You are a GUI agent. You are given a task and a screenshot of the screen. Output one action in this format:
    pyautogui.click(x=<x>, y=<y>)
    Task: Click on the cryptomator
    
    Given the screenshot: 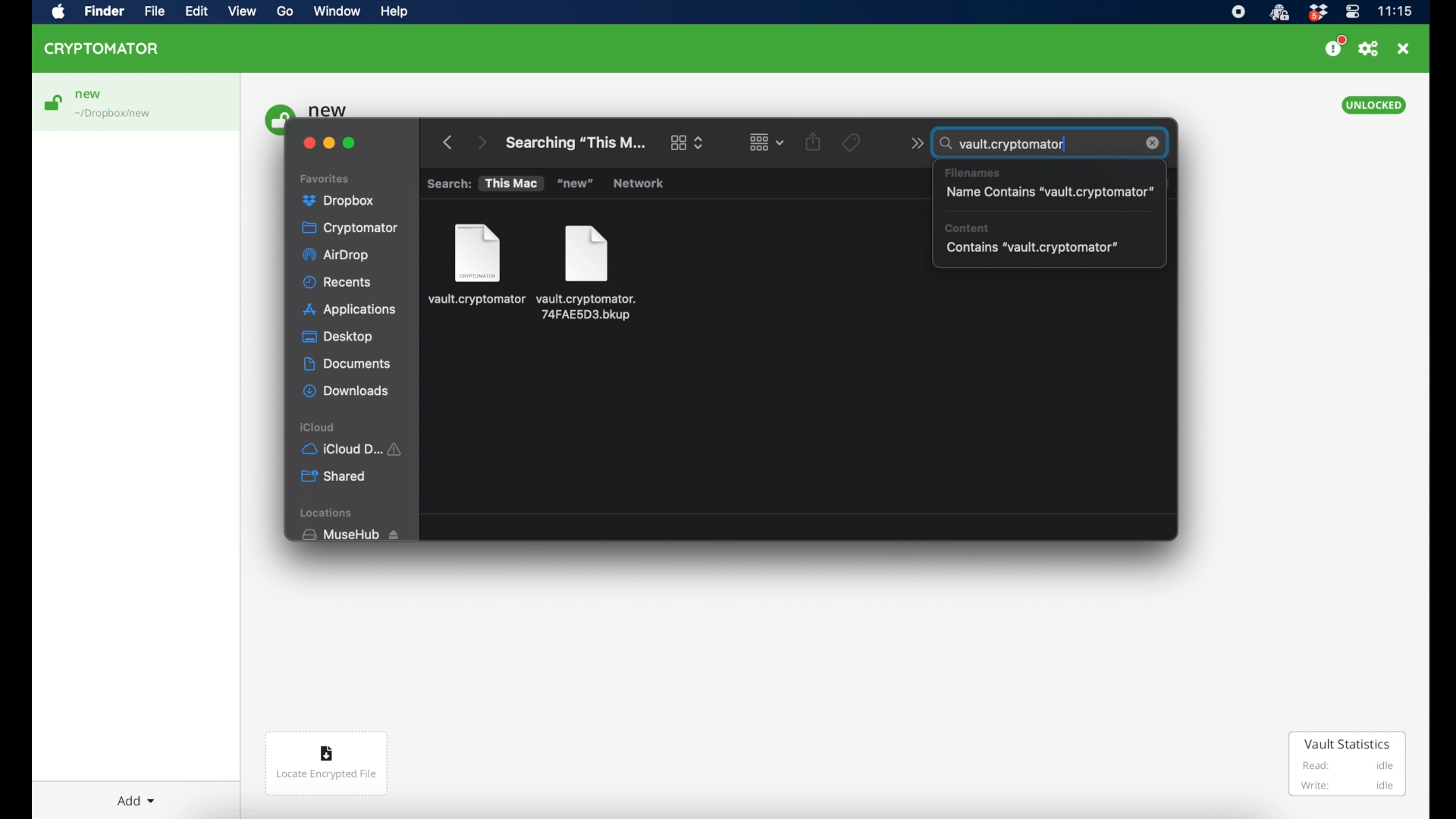 What is the action you would take?
    pyautogui.click(x=351, y=227)
    